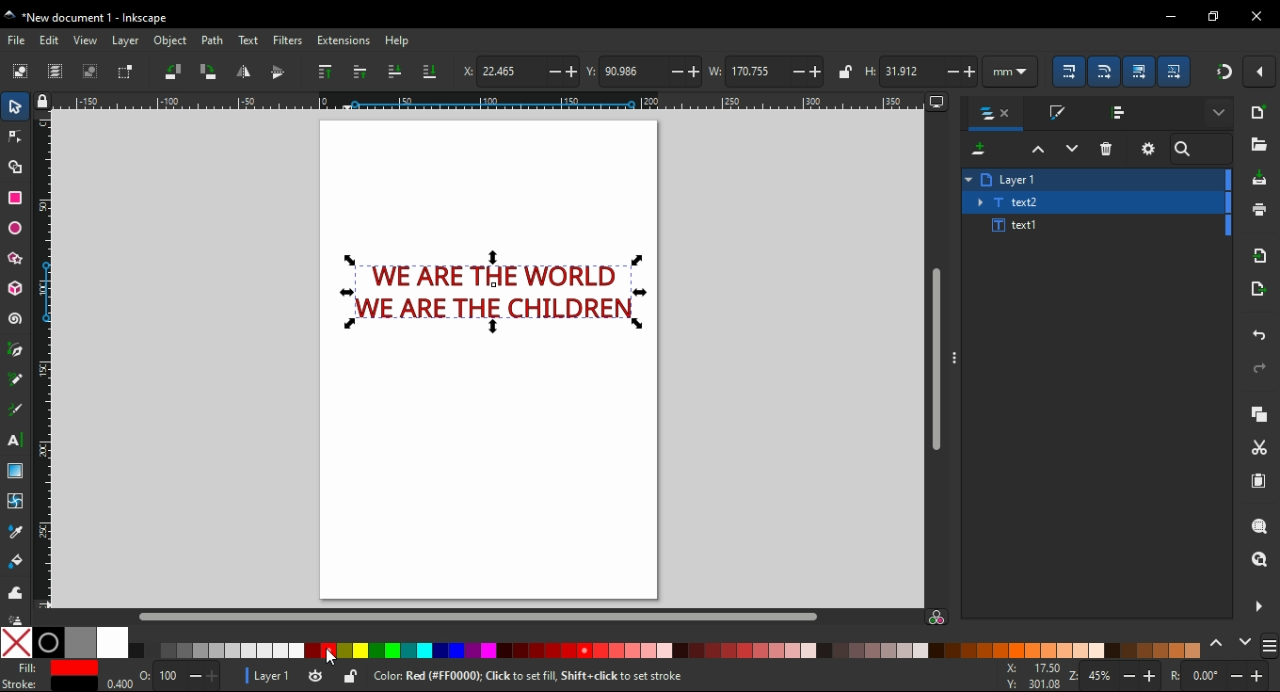 This screenshot has height=692, width=1280. What do you see at coordinates (1245, 646) in the screenshot?
I see `next` at bounding box center [1245, 646].